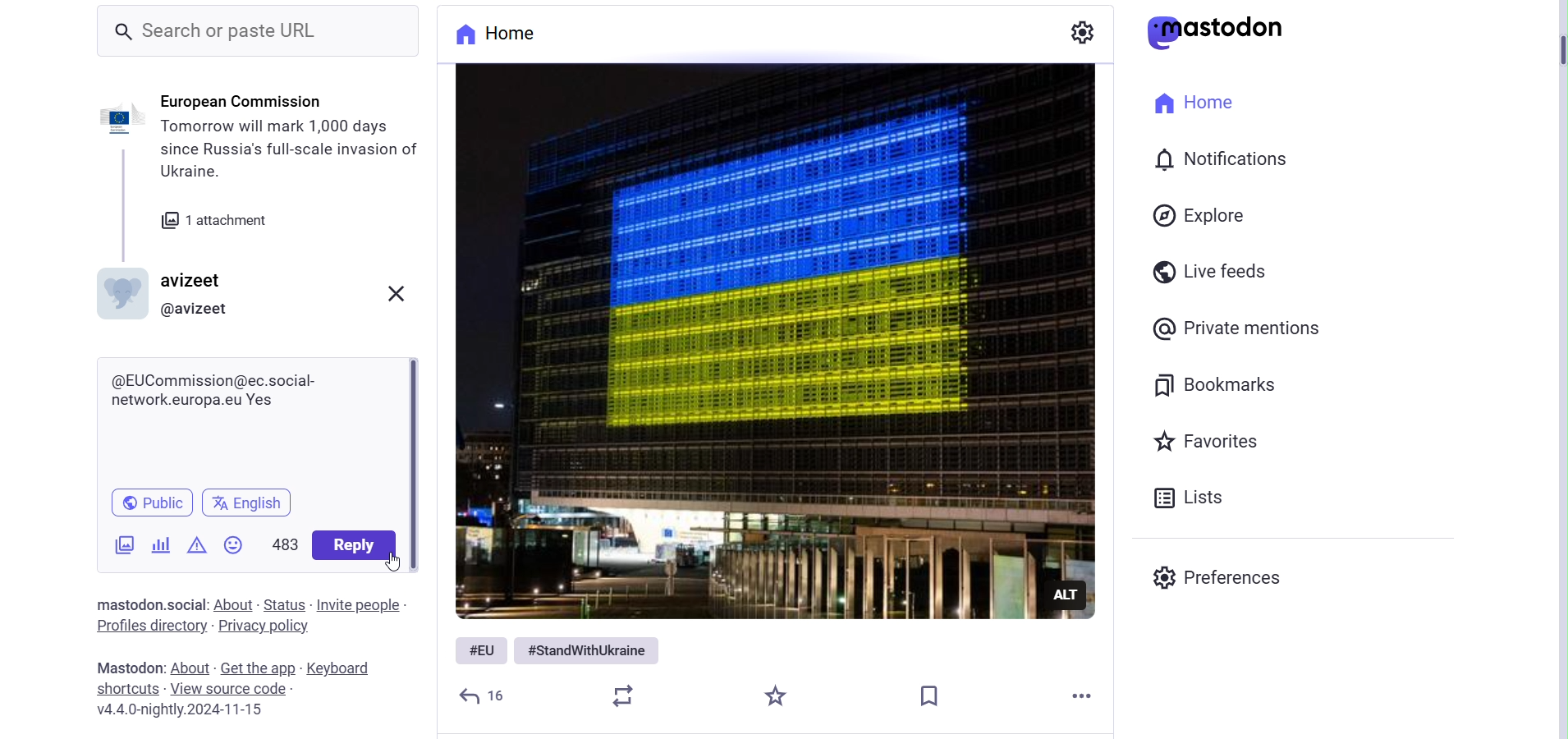 Image resolution: width=1568 pixels, height=739 pixels. I want to click on More, so click(1086, 695).